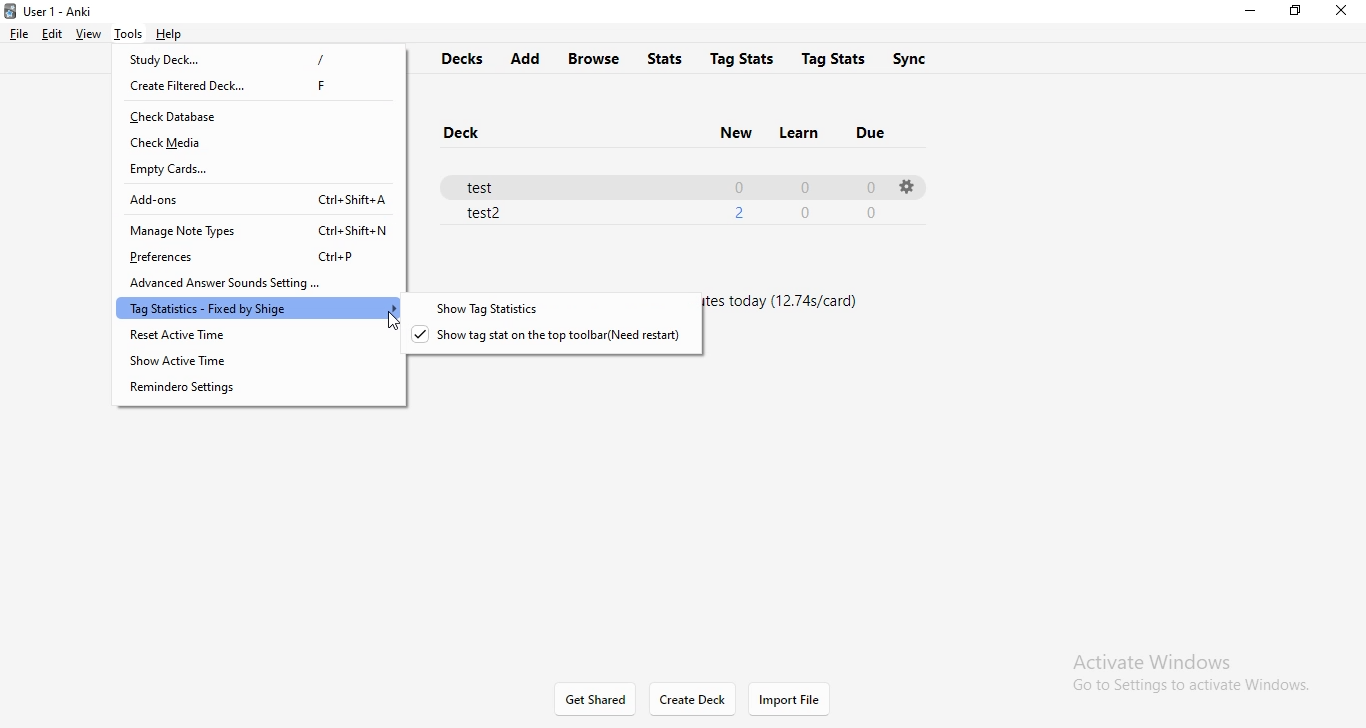 The height and width of the screenshot is (728, 1366). What do you see at coordinates (726, 132) in the screenshot?
I see `new` at bounding box center [726, 132].